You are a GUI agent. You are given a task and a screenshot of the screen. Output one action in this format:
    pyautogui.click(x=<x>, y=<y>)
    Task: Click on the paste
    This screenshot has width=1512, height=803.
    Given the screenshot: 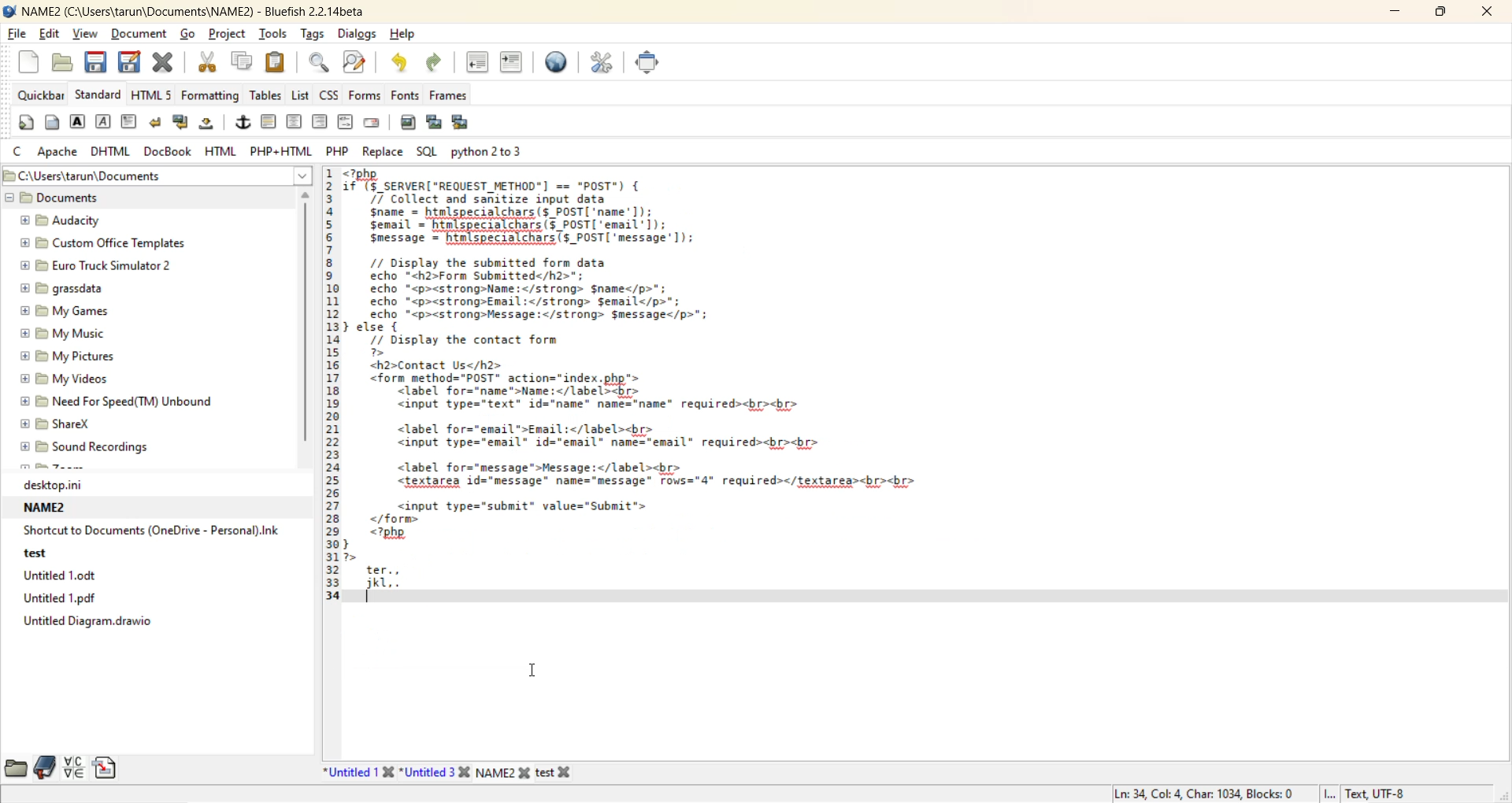 What is the action you would take?
    pyautogui.click(x=276, y=61)
    